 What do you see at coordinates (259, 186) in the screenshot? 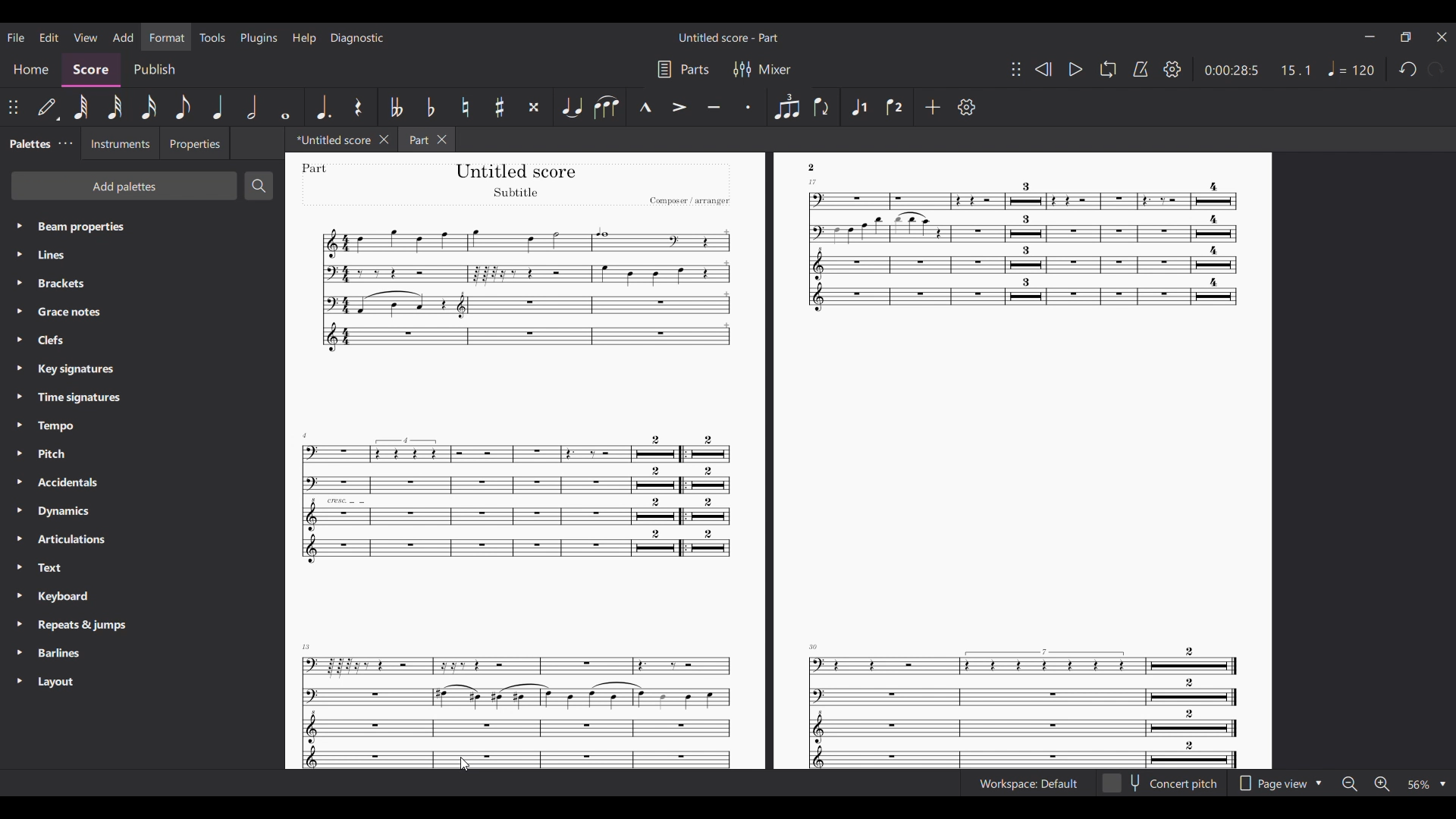
I see `Search` at bounding box center [259, 186].